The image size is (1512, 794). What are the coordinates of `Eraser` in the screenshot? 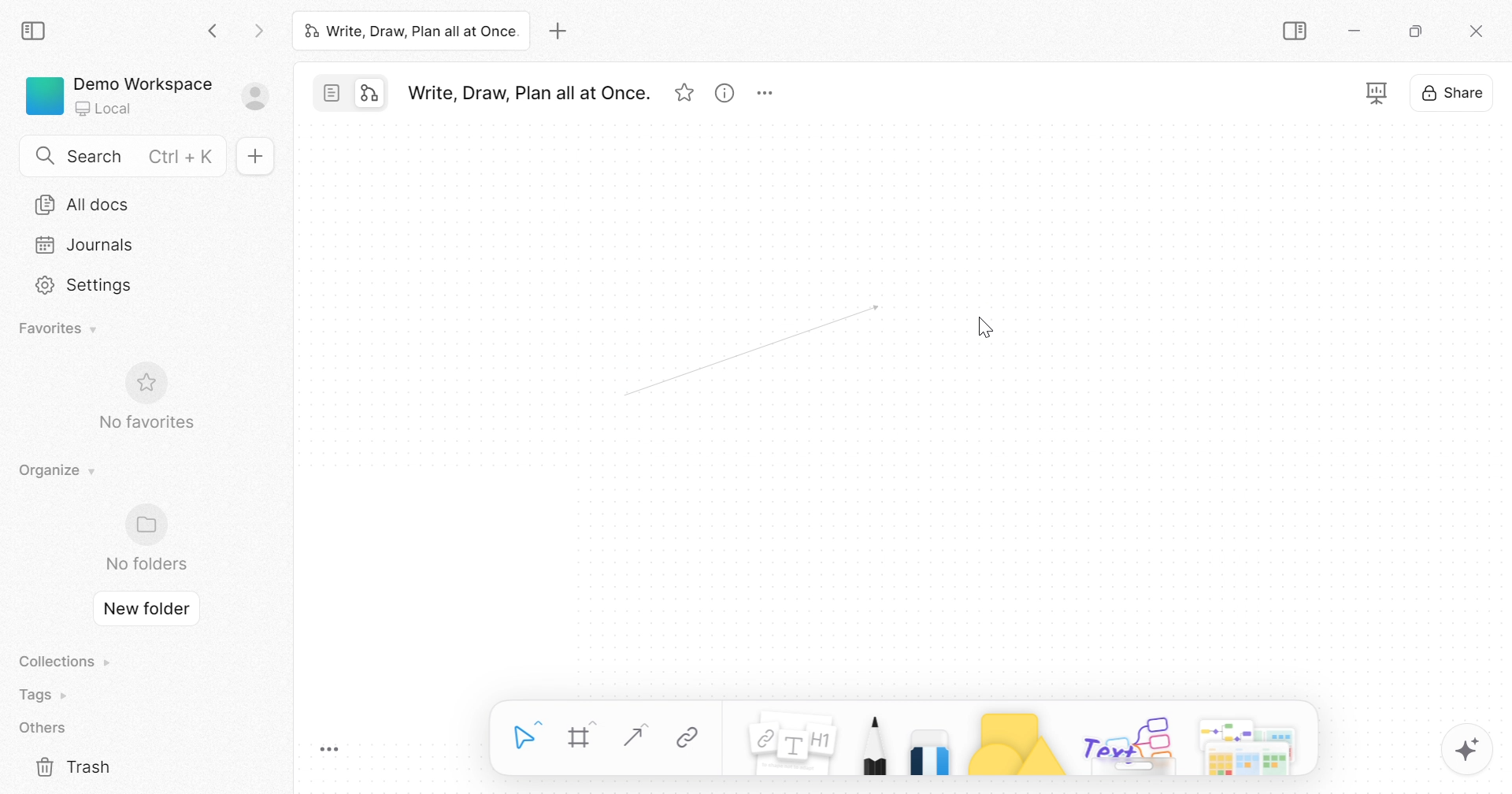 It's located at (931, 748).